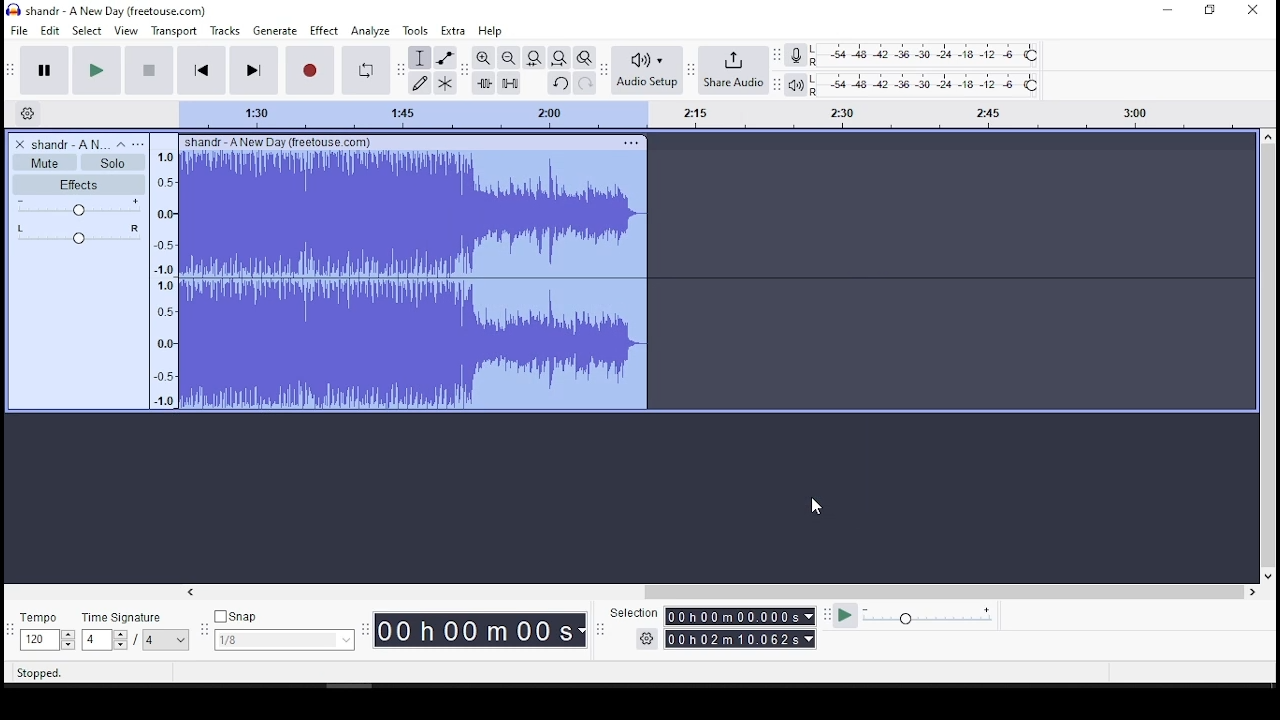 This screenshot has width=1280, height=720. I want to click on select tool, so click(419, 58).